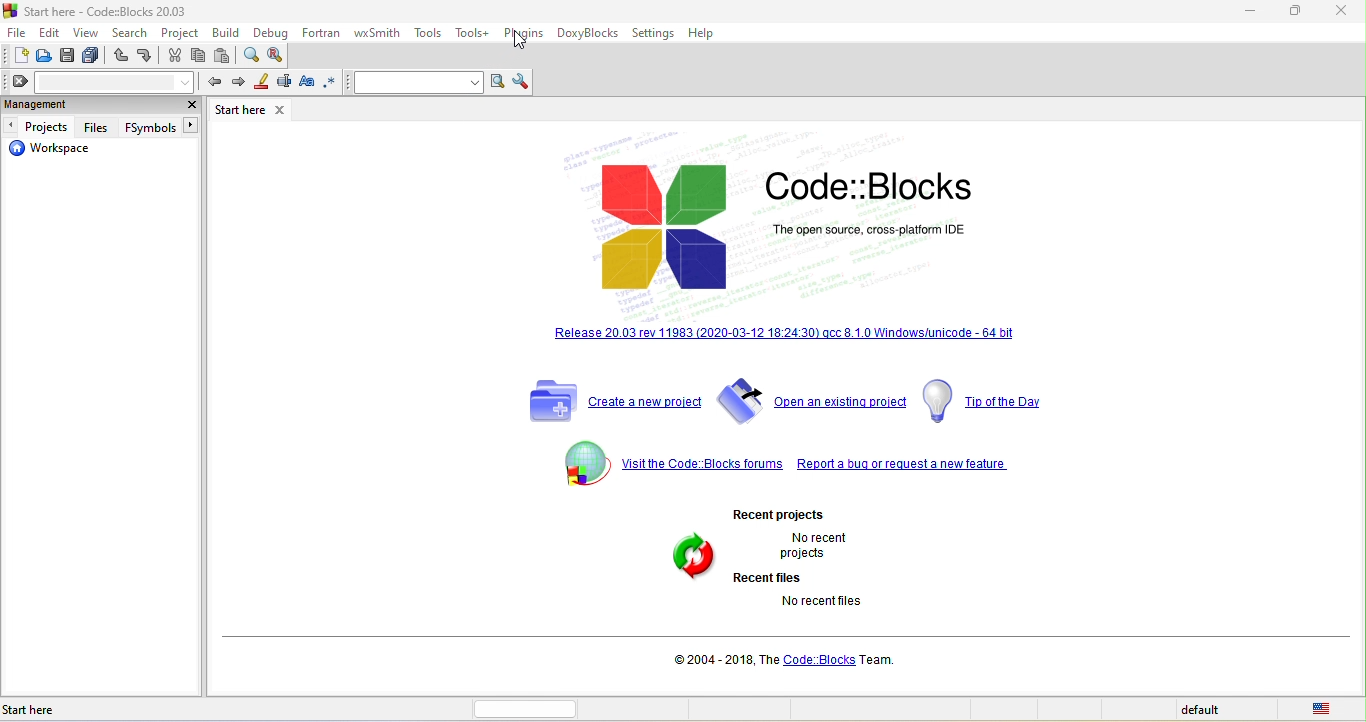 Image resolution: width=1366 pixels, height=722 pixels. What do you see at coordinates (590, 33) in the screenshot?
I see `doxyblocks` at bounding box center [590, 33].